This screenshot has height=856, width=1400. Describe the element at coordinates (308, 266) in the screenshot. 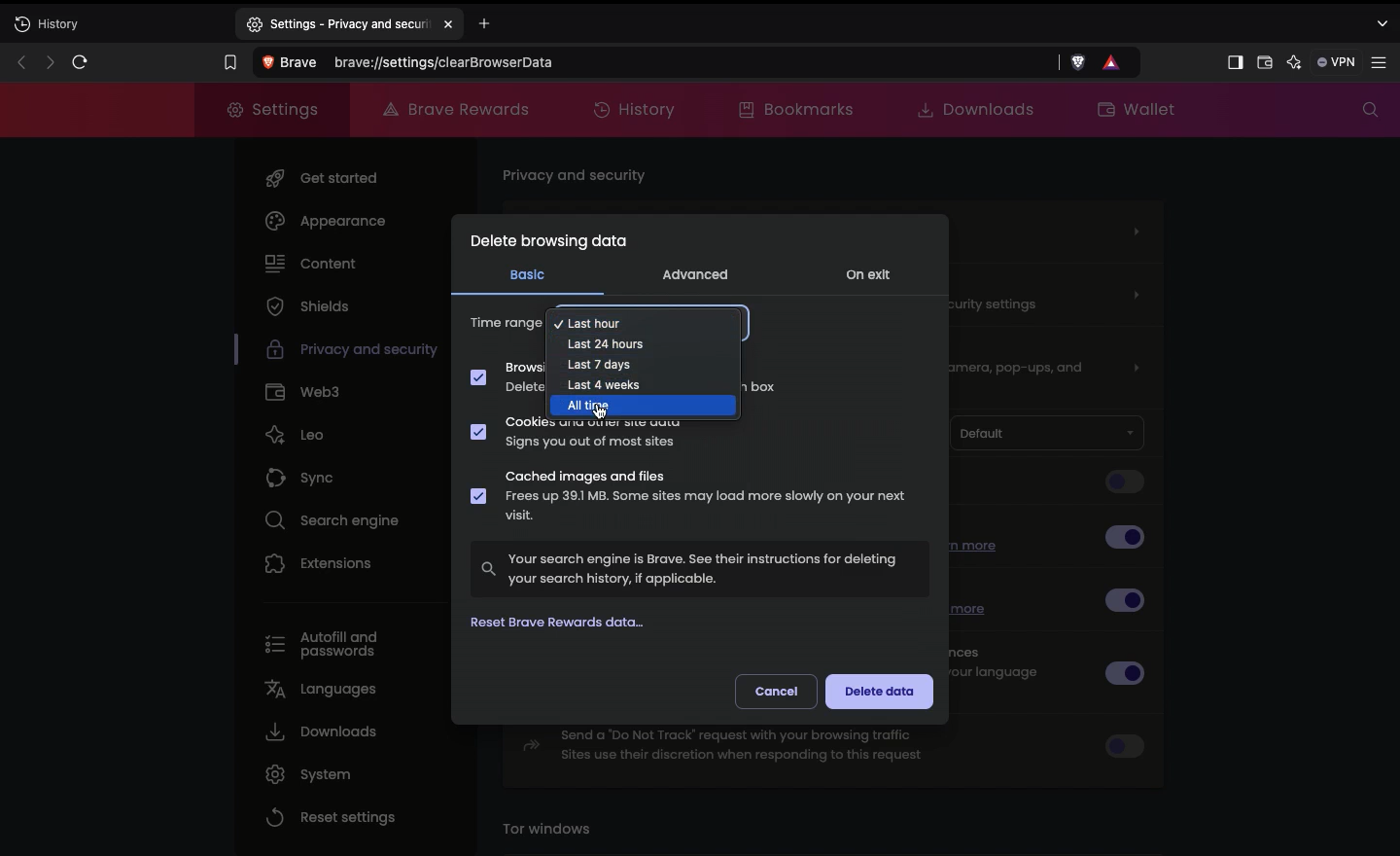

I see `Content` at that location.